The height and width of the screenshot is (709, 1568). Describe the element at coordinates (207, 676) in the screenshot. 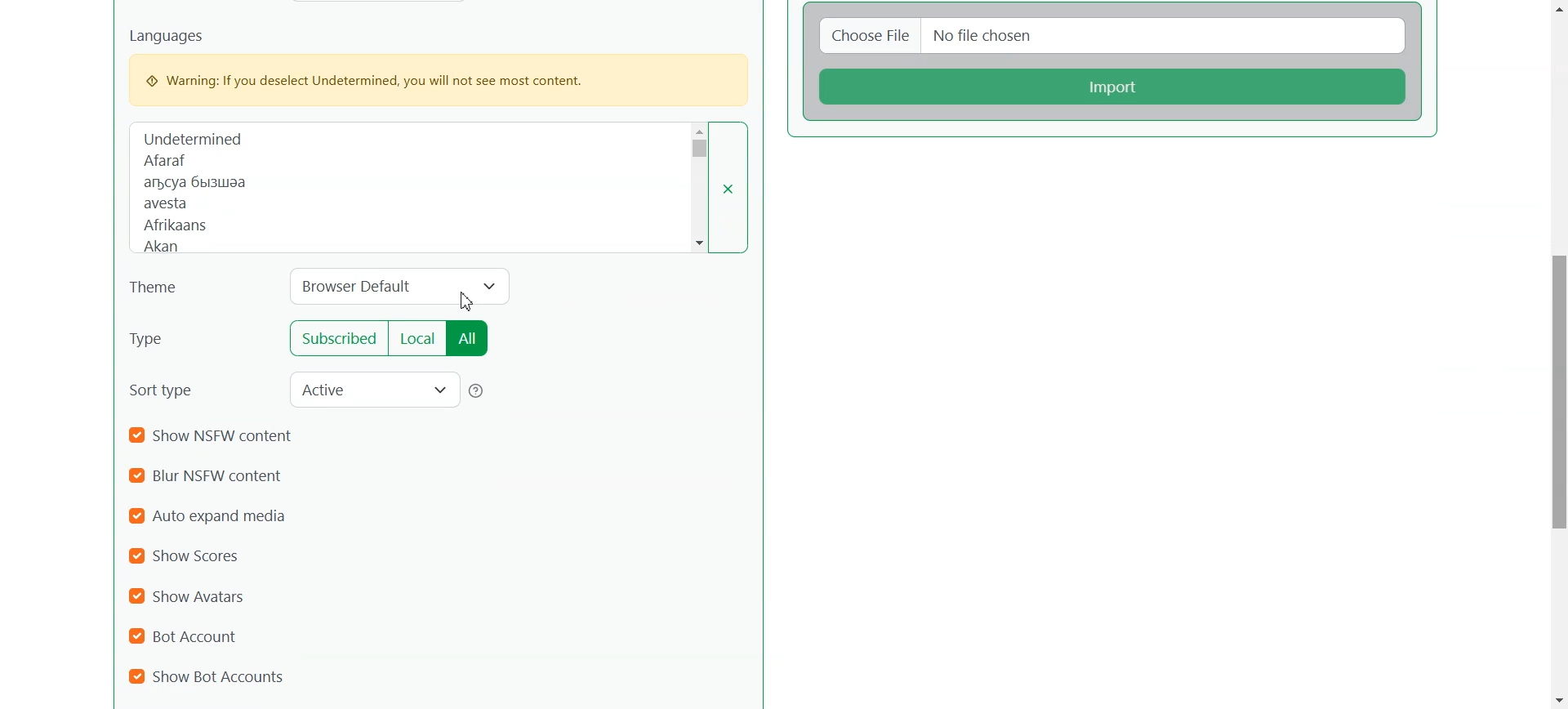

I see `Show Bot Accounts` at that location.